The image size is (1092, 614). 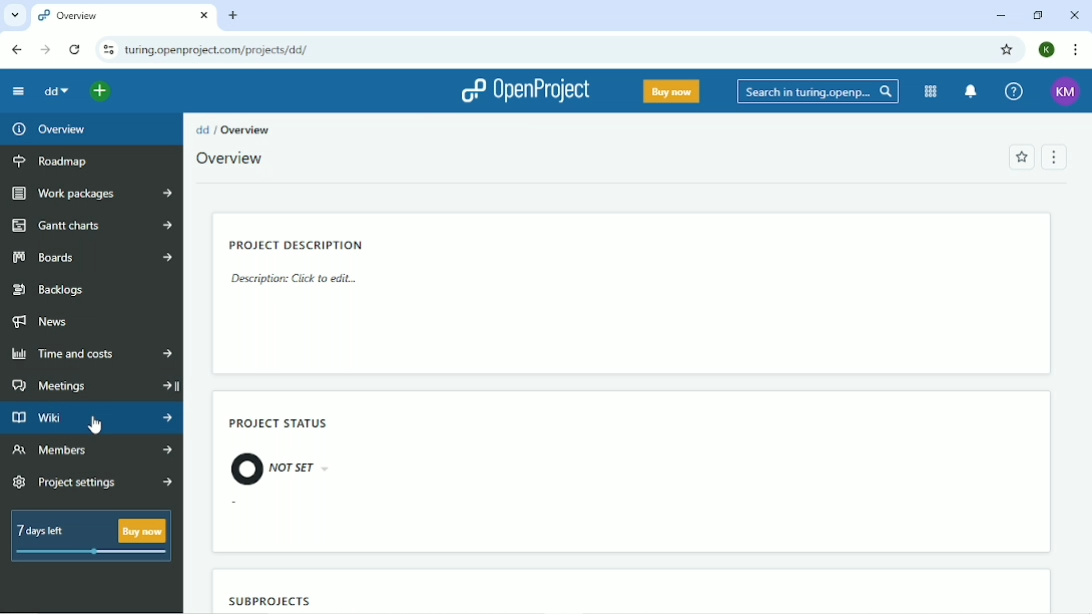 I want to click on Bookmark this tab, so click(x=1007, y=51).